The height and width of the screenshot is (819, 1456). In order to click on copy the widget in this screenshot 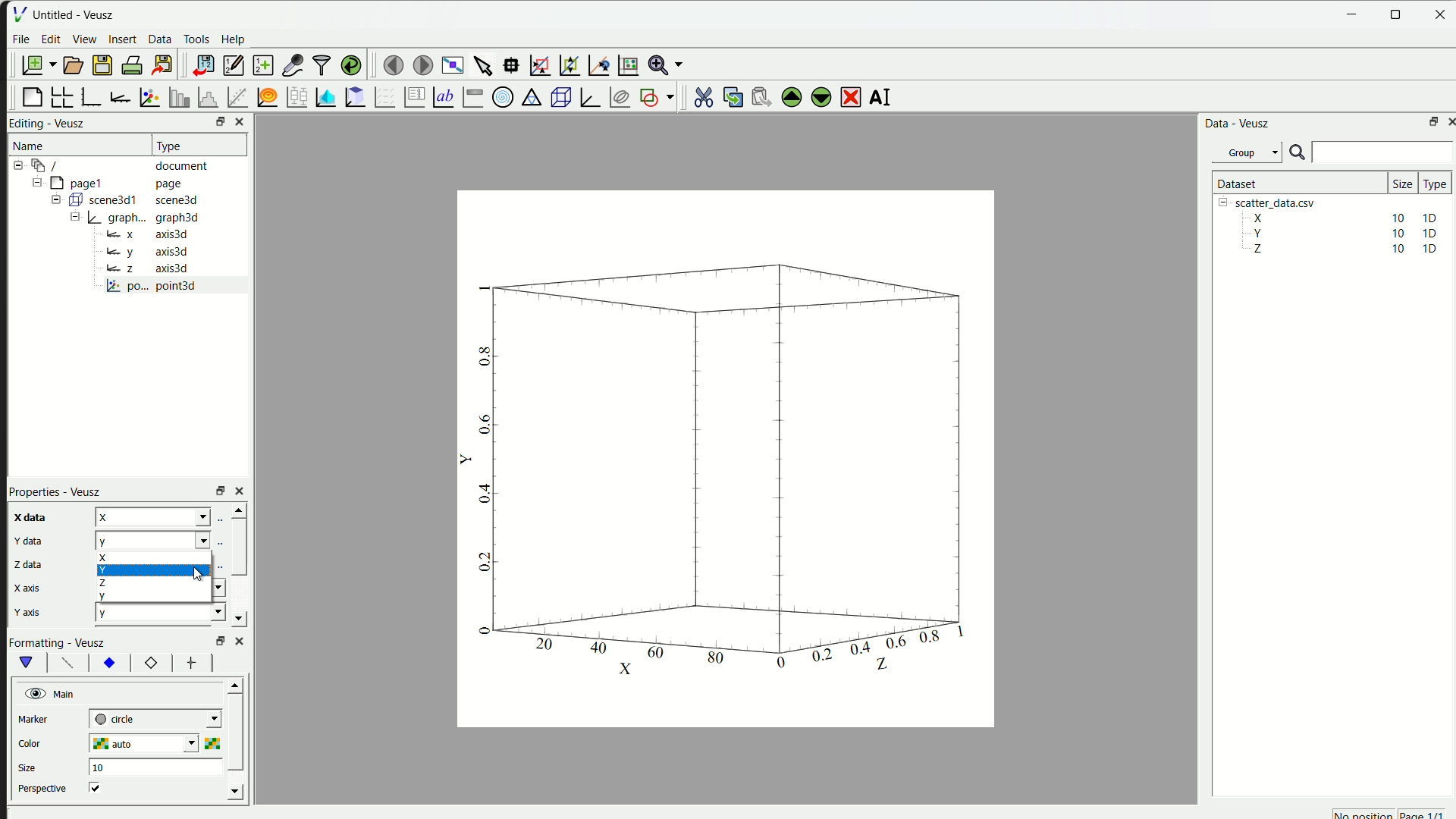, I will do `click(730, 97)`.